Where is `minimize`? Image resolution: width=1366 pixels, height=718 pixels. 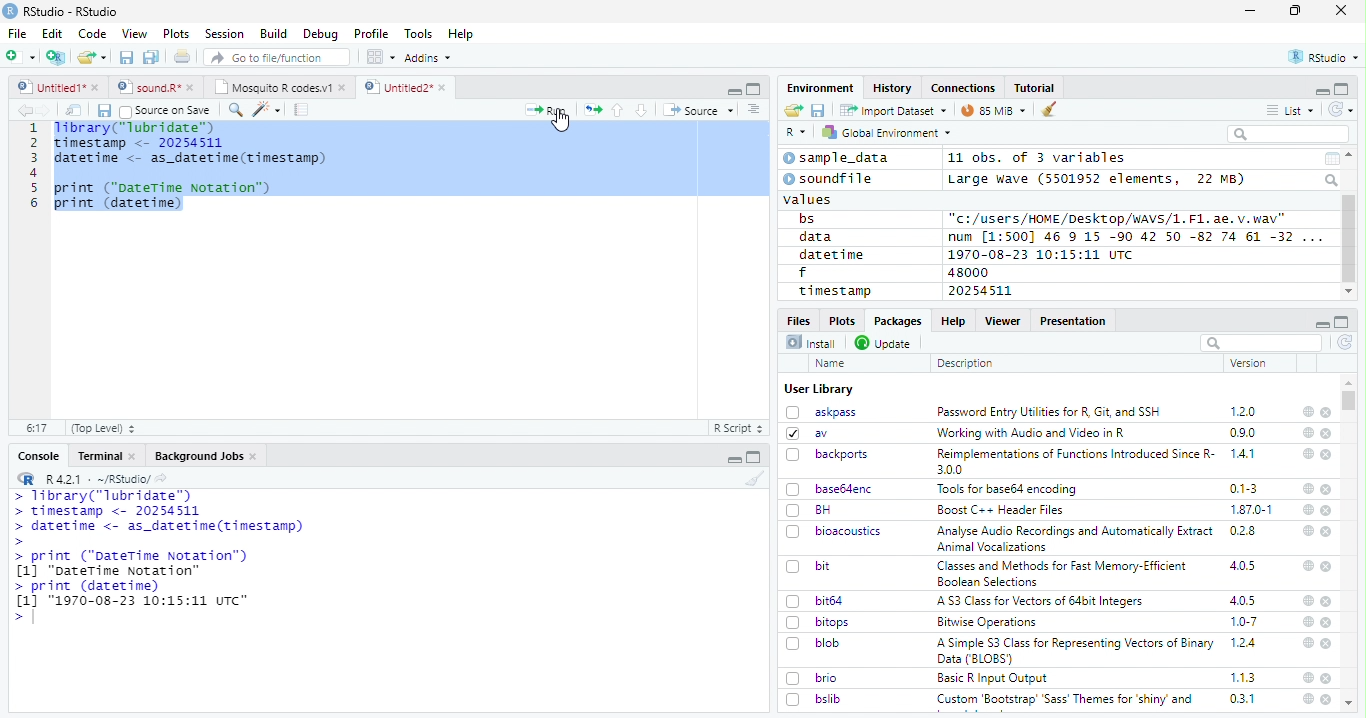
minimize is located at coordinates (1253, 11).